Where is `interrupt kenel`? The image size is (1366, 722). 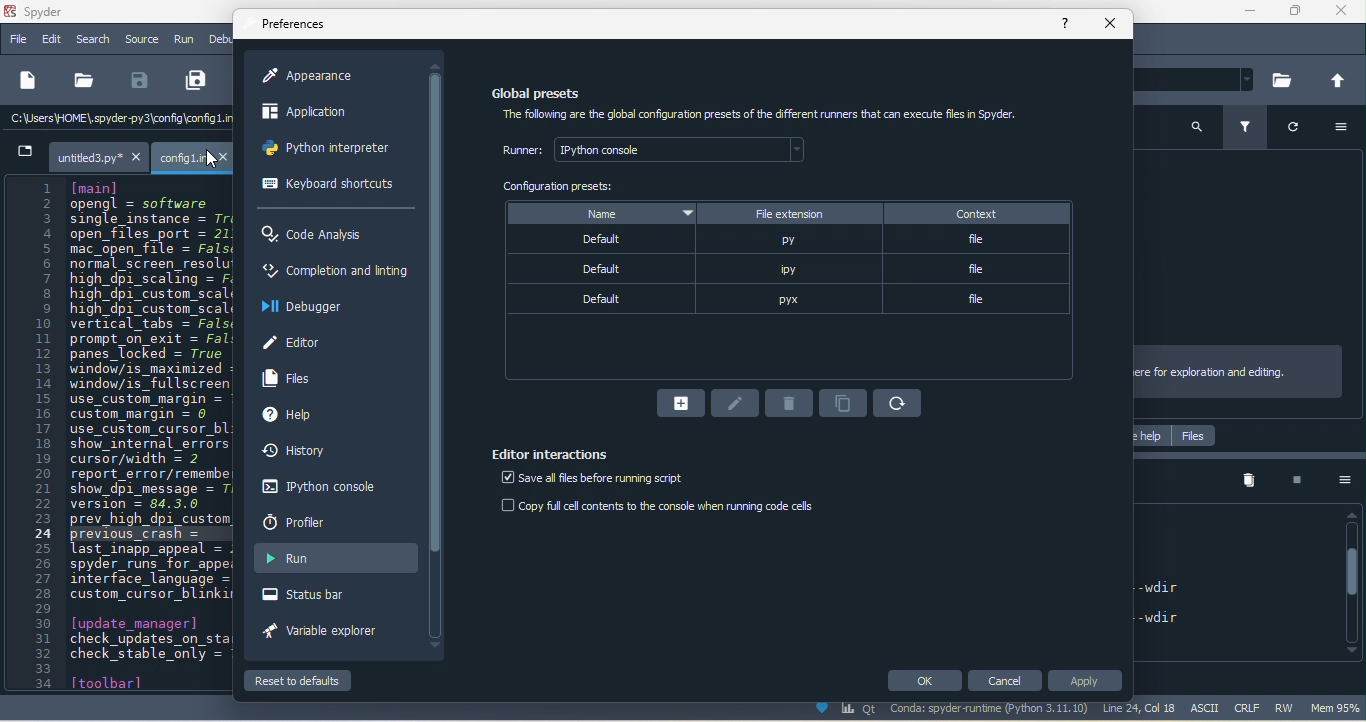 interrupt kenel is located at coordinates (1289, 483).